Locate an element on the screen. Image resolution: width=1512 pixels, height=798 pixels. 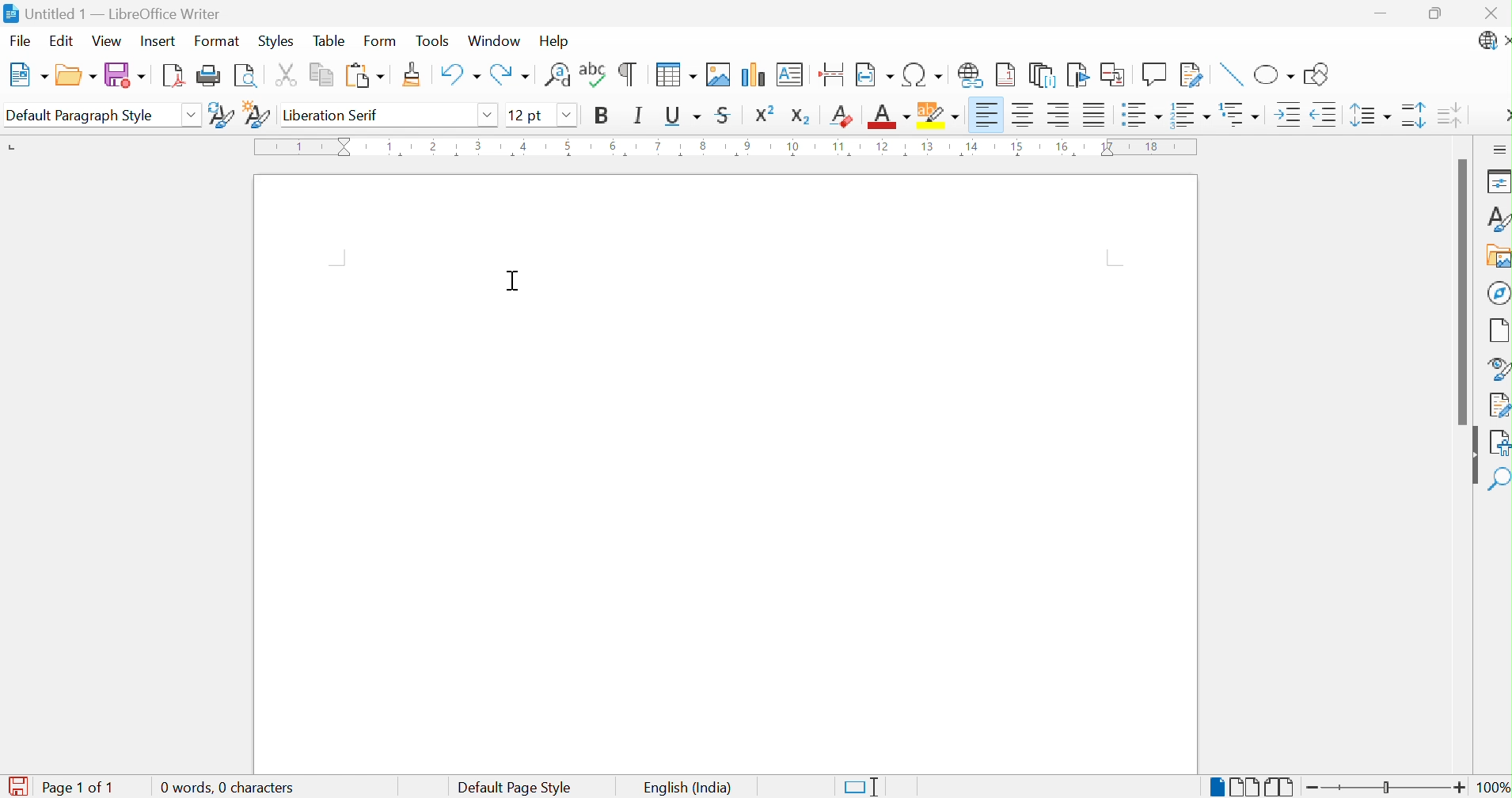
Help is located at coordinates (553, 42).